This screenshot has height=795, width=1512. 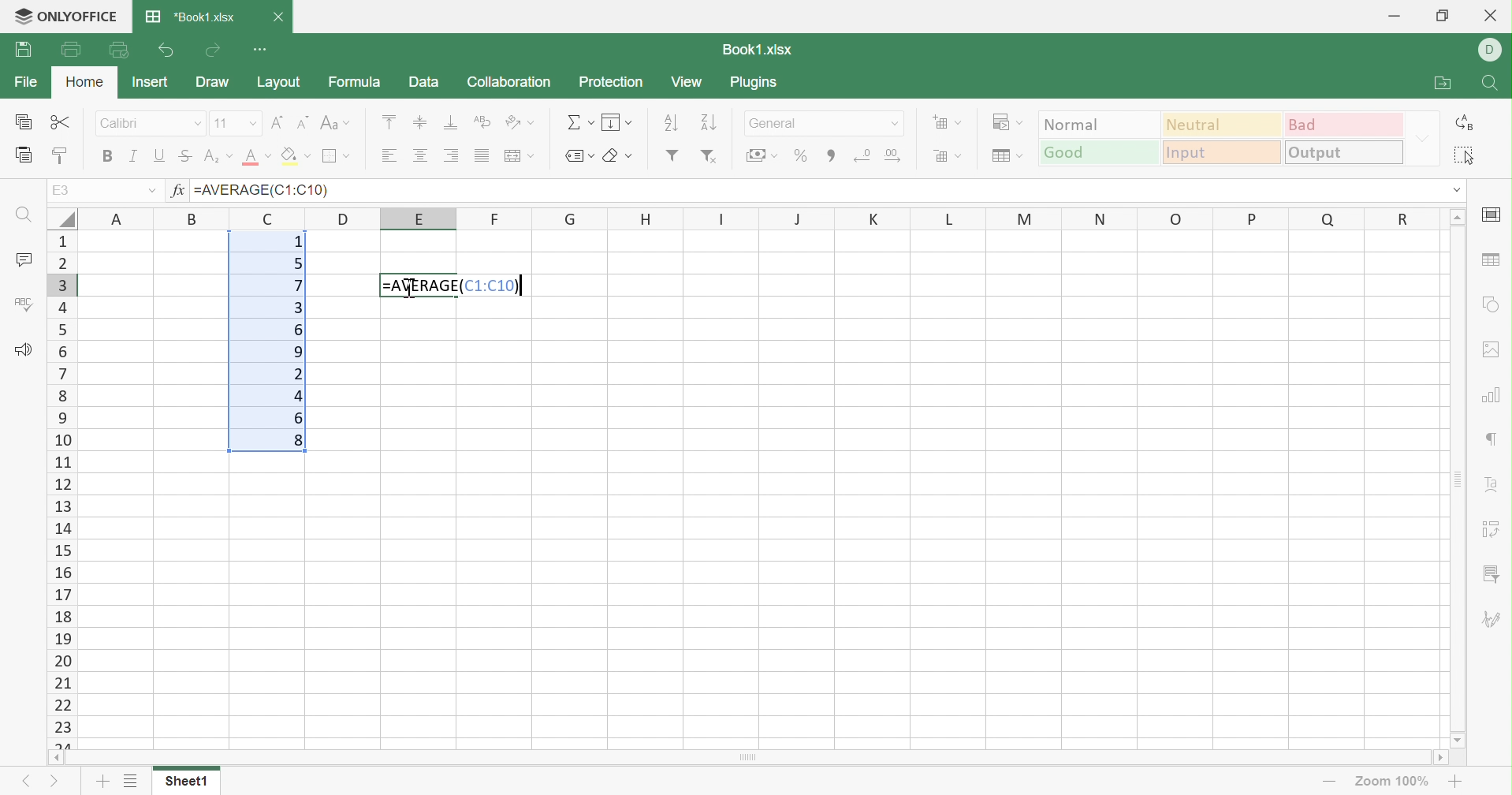 I want to click on Bad, so click(x=1343, y=125).